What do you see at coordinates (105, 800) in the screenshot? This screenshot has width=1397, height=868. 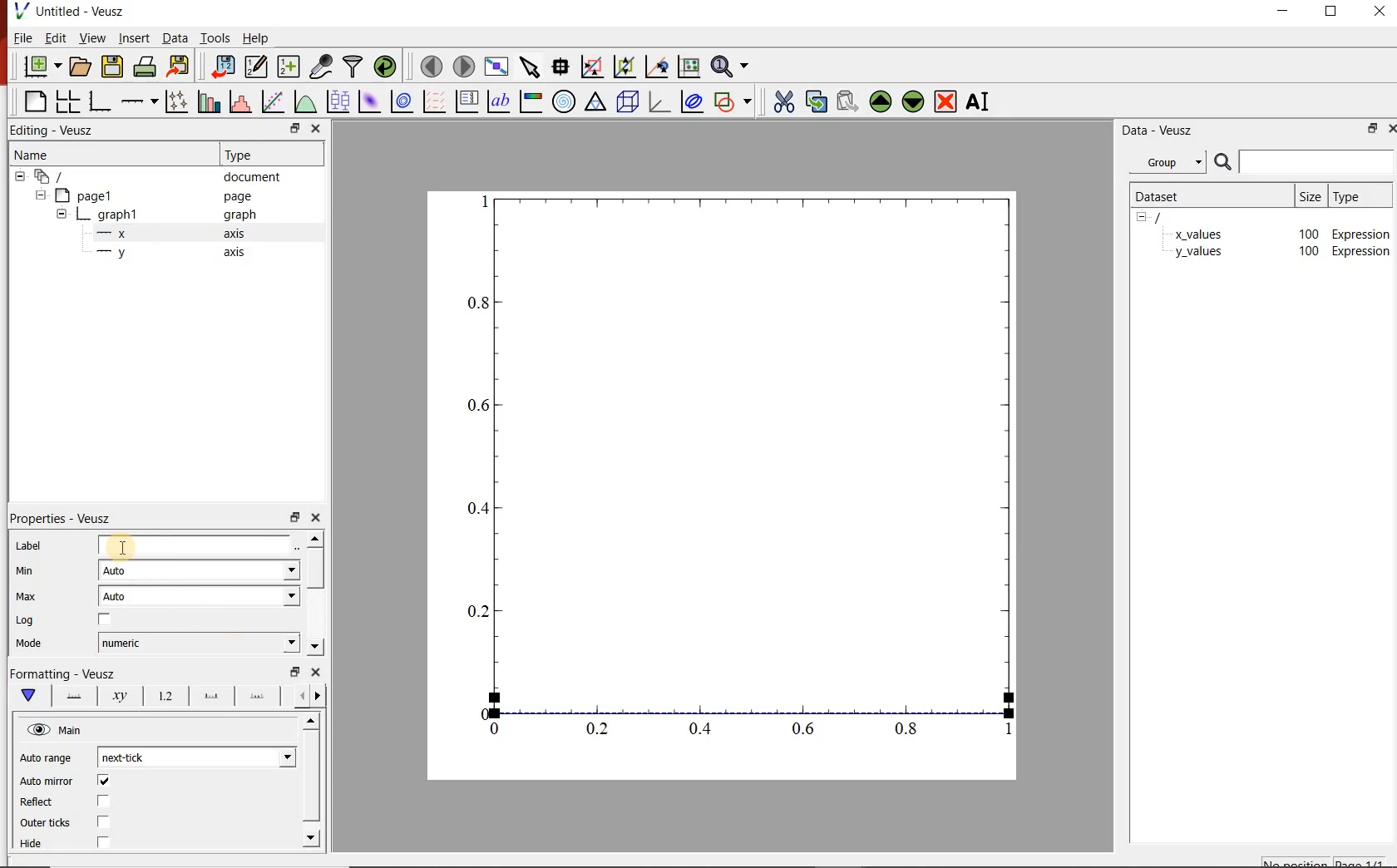 I see `checkbox` at bounding box center [105, 800].